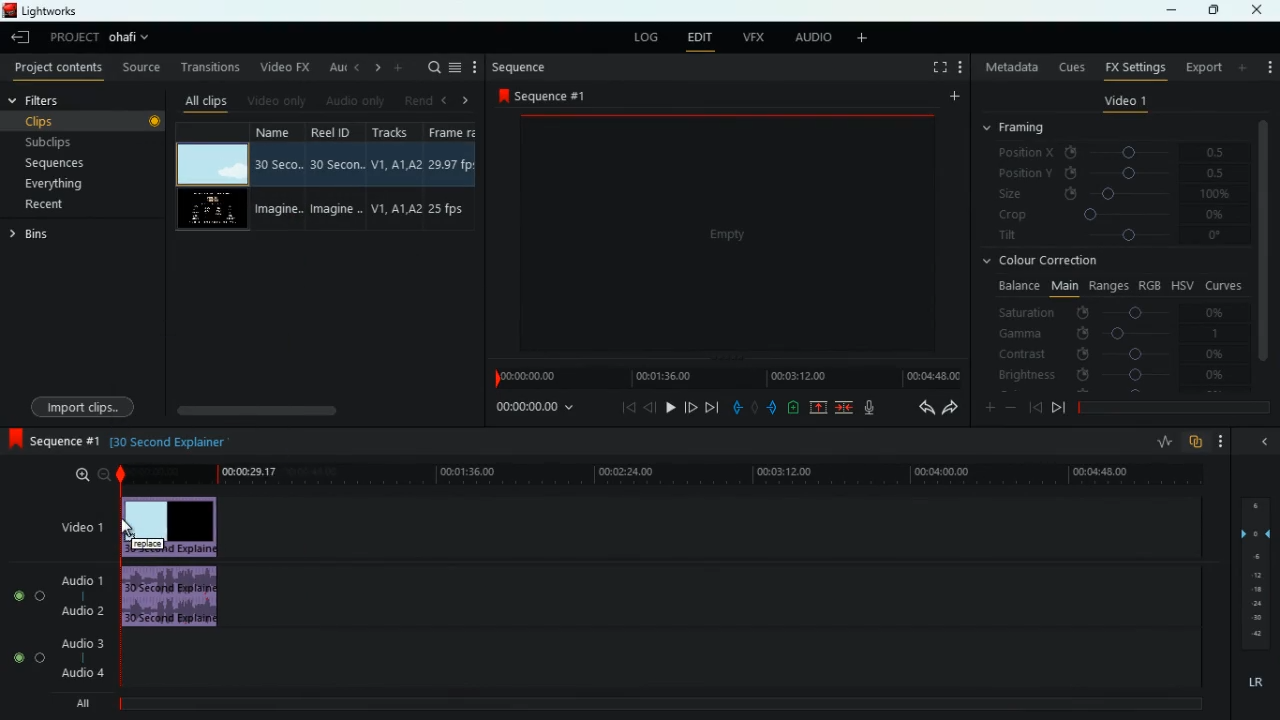 The image size is (1280, 720). Describe the element at coordinates (171, 600) in the screenshot. I see `Audio` at that location.